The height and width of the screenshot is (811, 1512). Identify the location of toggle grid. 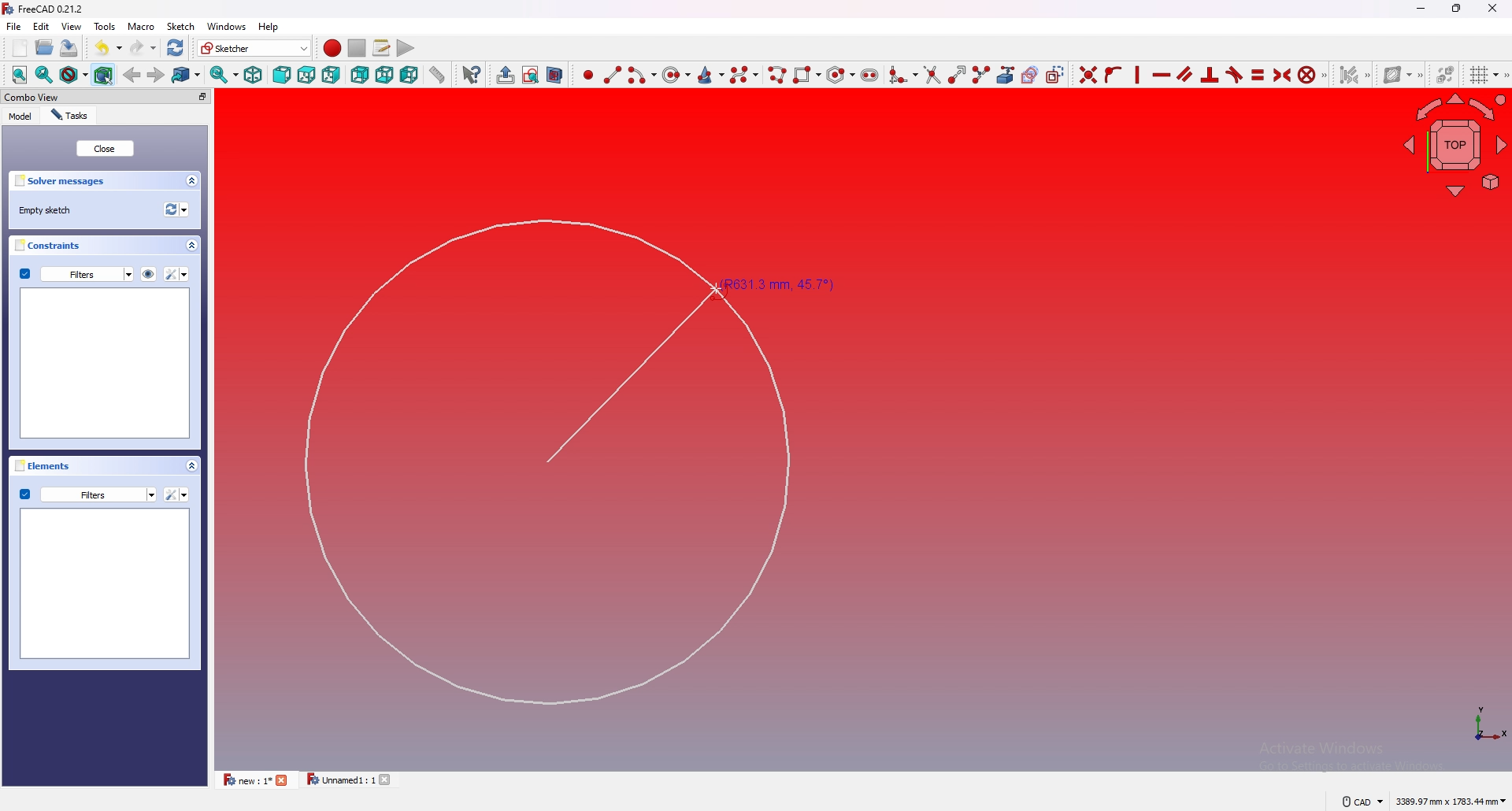
(1487, 75).